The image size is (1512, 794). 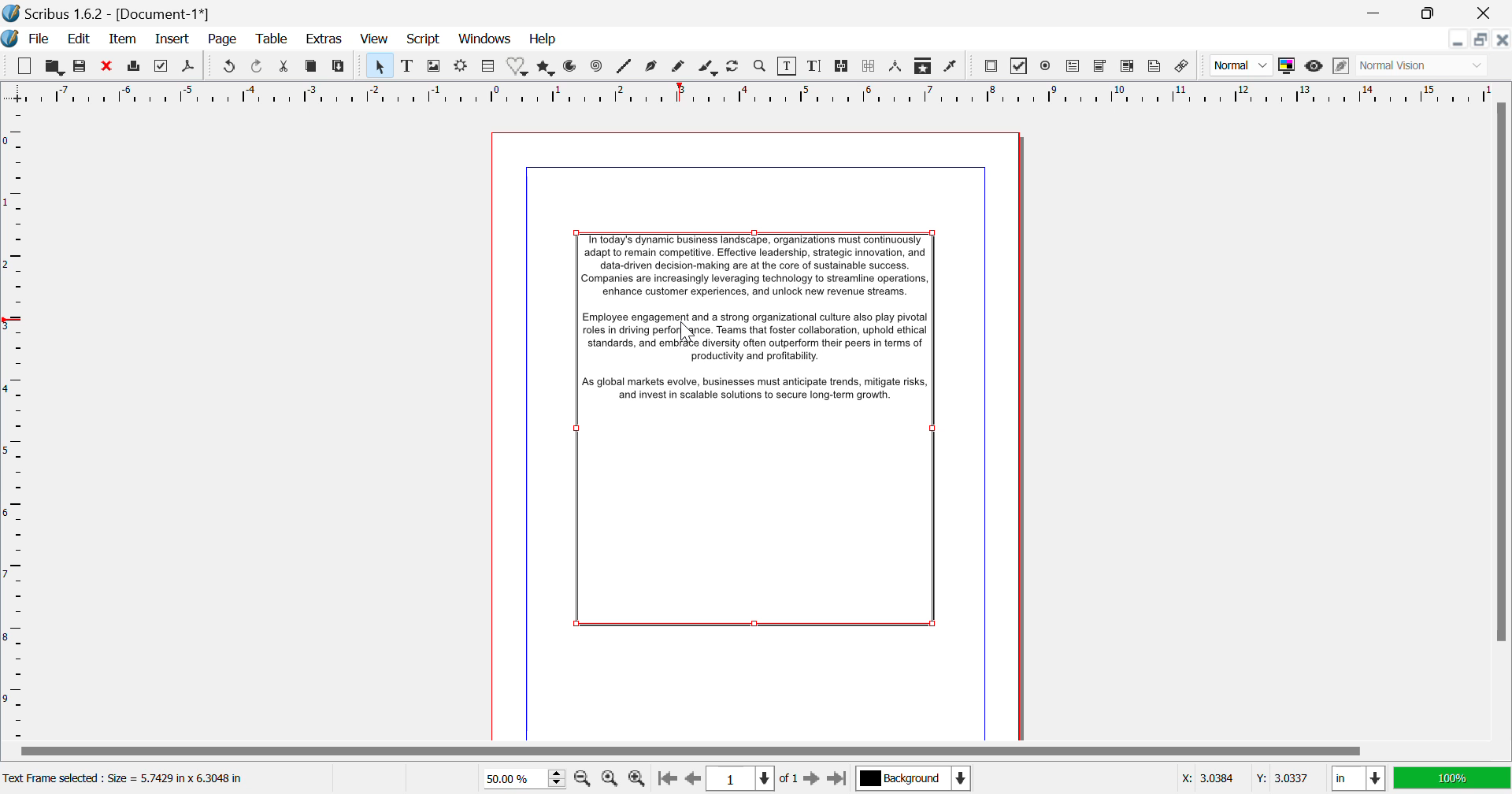 I want to click on Scroll Bar, so click(x=765, y=750).